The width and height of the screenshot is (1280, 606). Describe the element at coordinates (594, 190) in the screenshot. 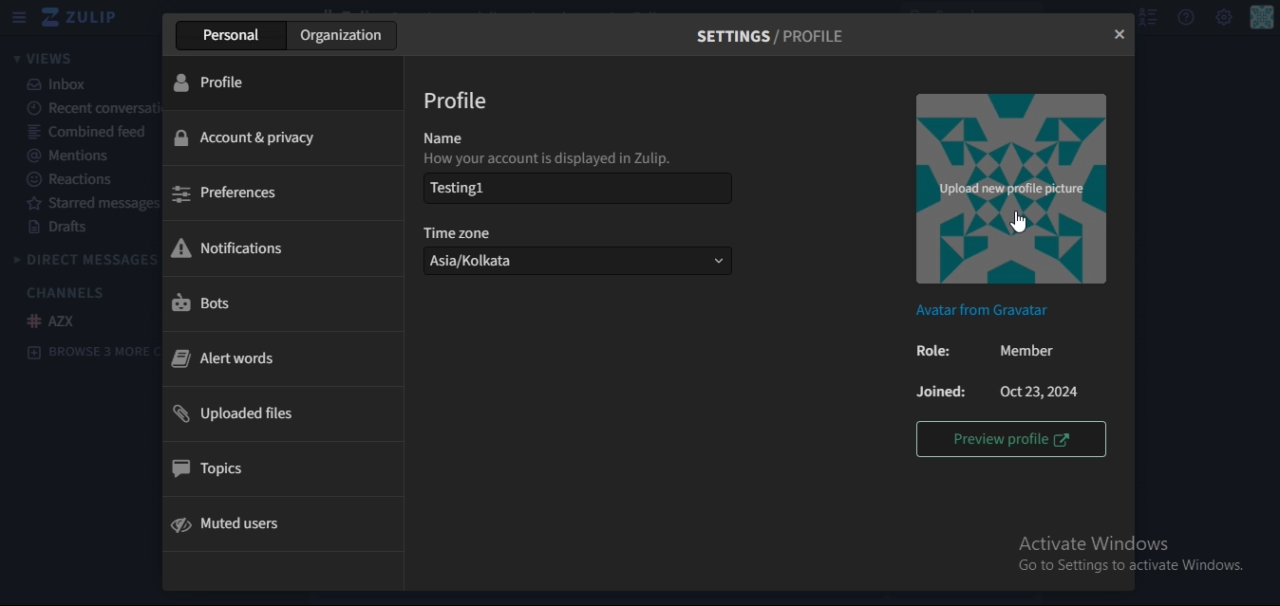

I see `Testing 1` at that location.